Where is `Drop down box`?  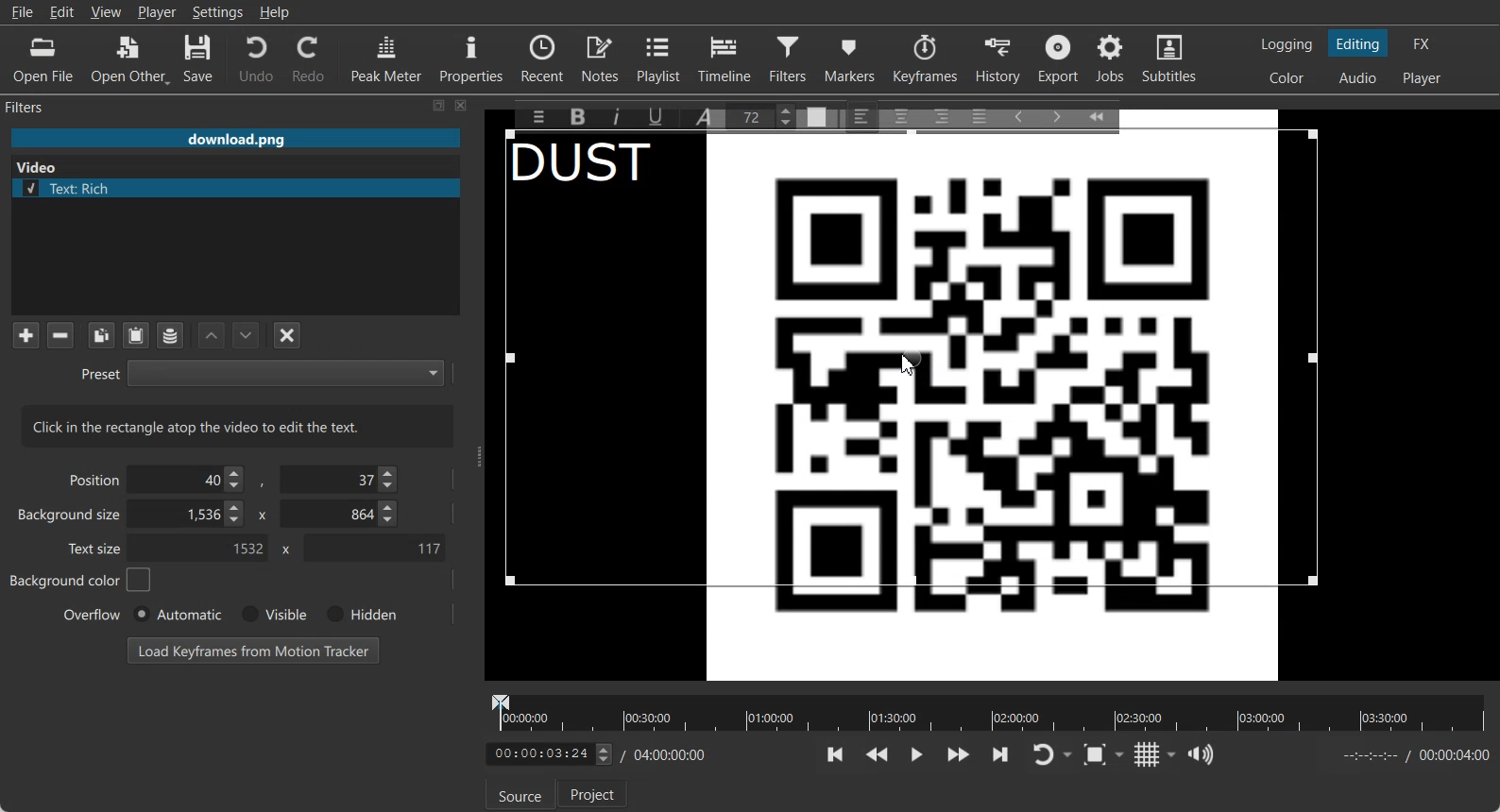 Drop down box is located at coordinates (1069, 755).